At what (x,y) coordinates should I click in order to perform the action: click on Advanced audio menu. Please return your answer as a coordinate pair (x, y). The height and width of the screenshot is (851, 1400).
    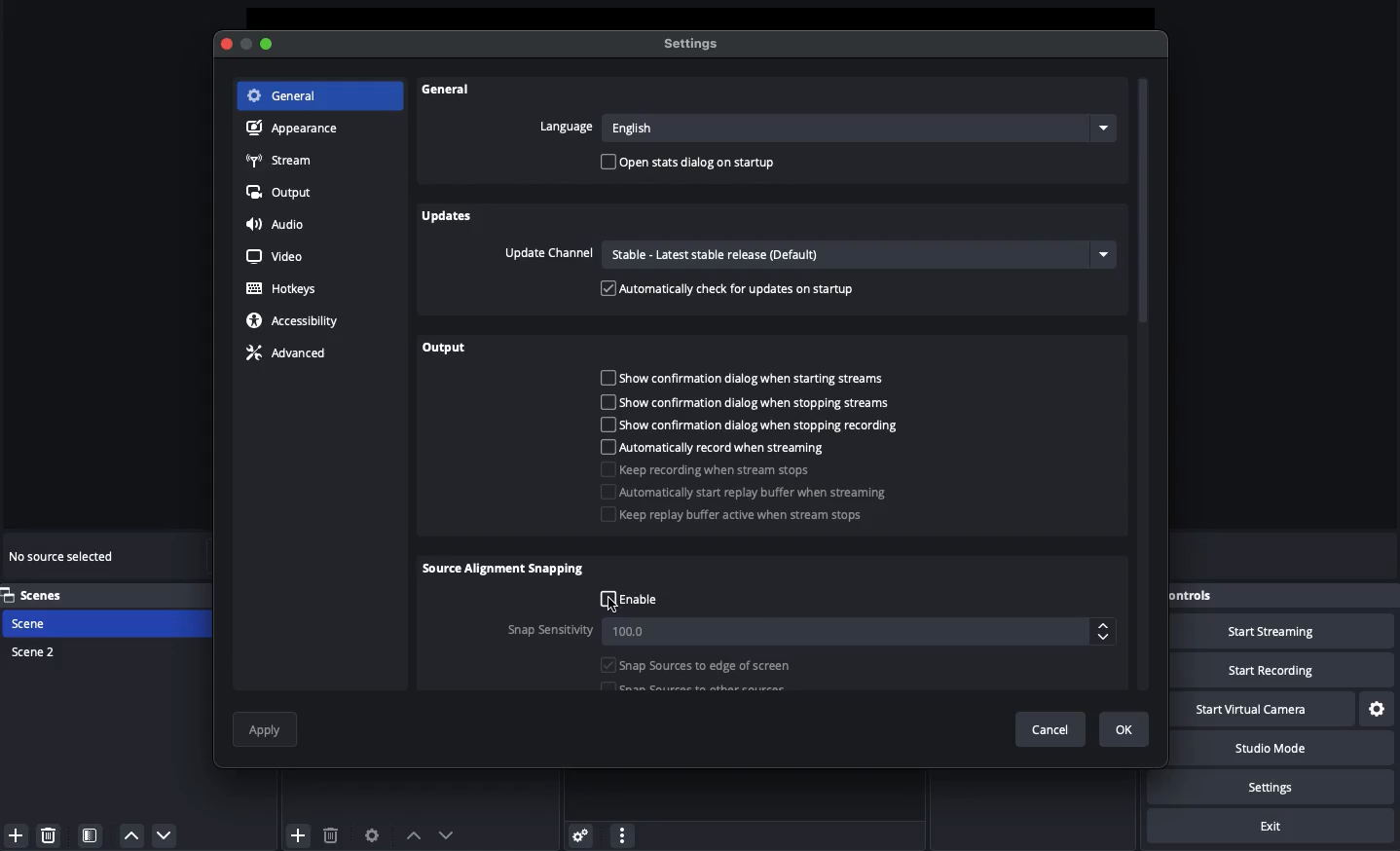
    Looking at the image, I should click on (580, 833).